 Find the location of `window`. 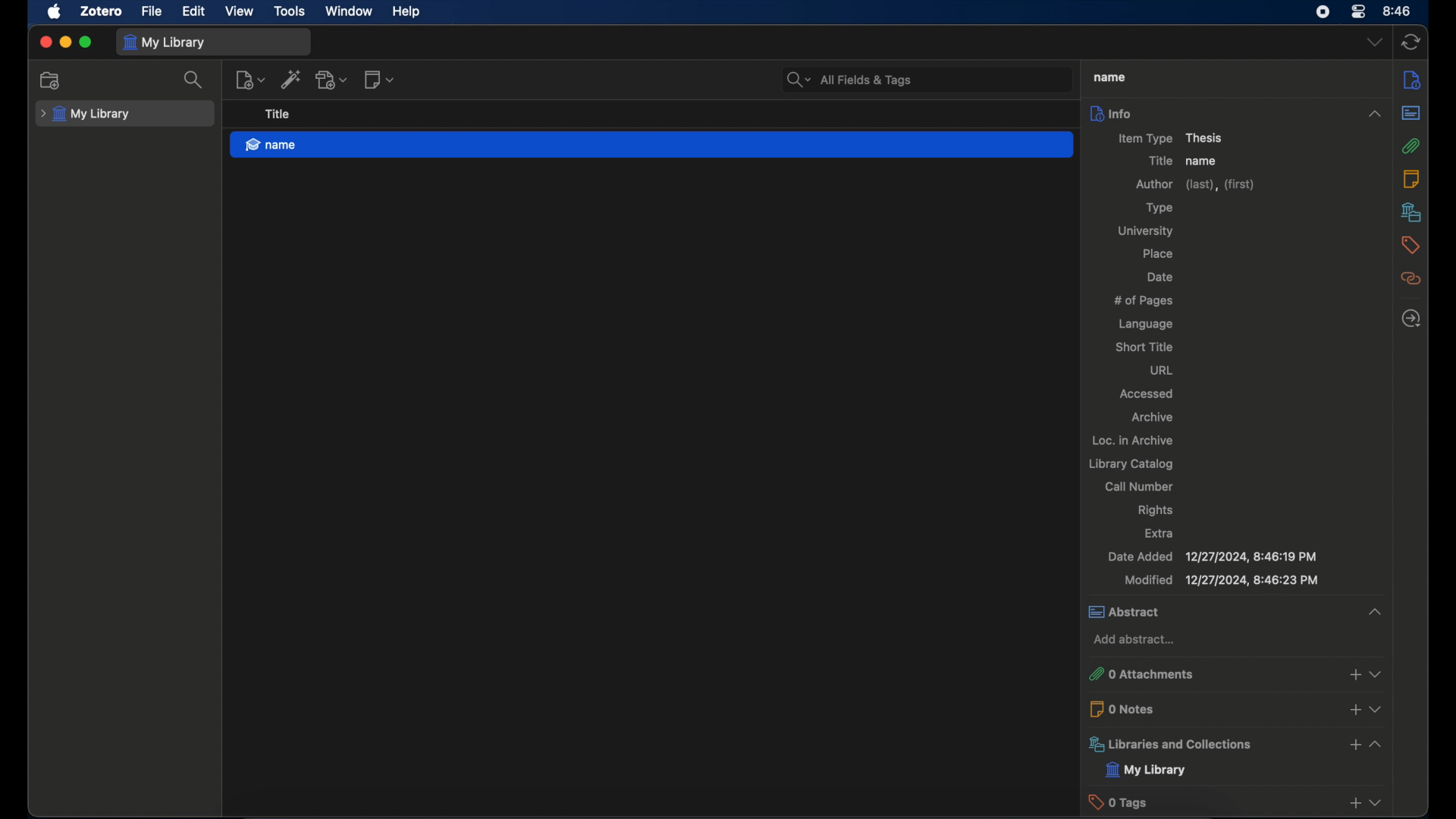

window is located at coordinates (347, 11).